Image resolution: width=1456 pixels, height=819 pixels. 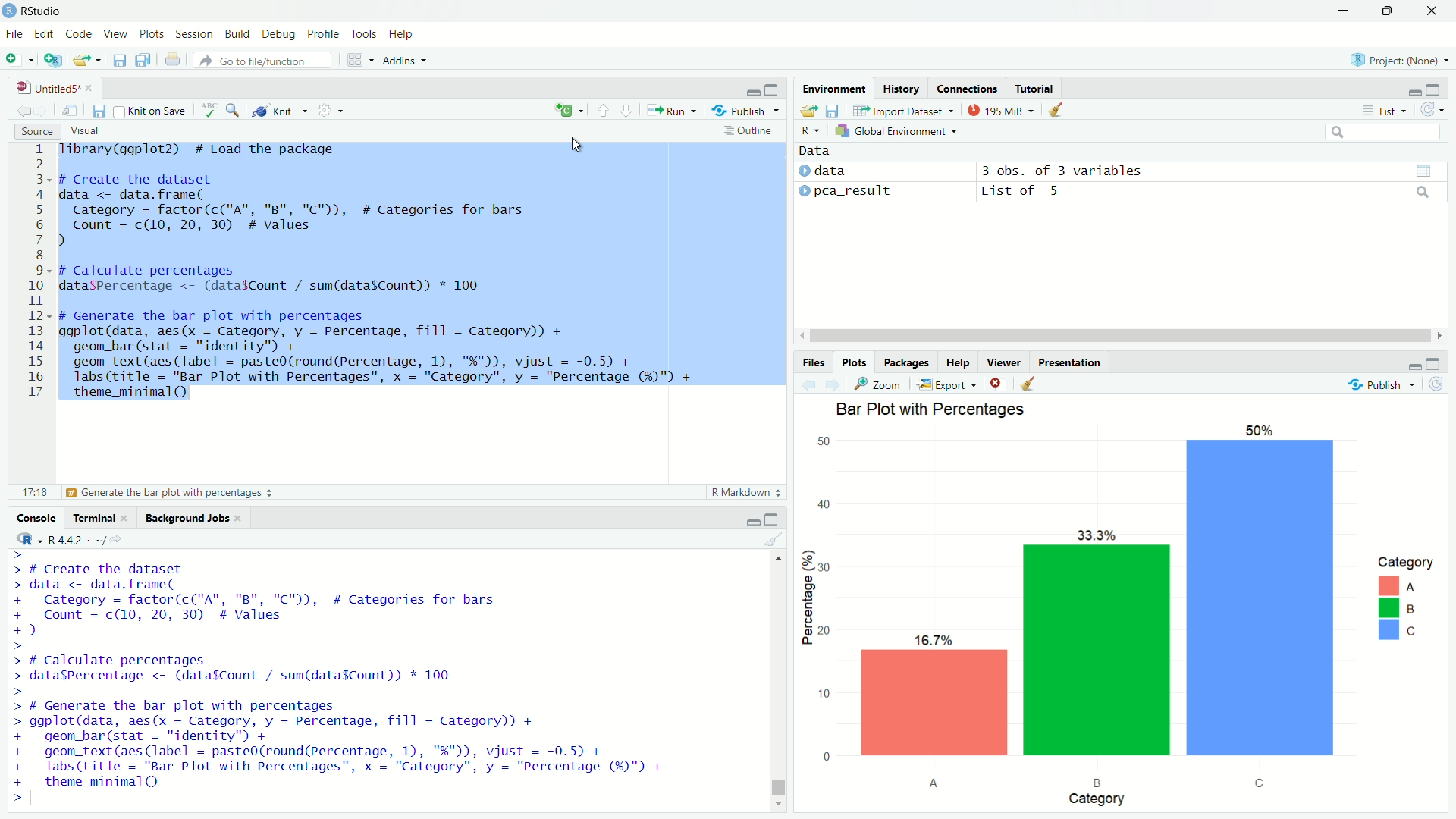 I want to click on View, so click(x=117, y=35).